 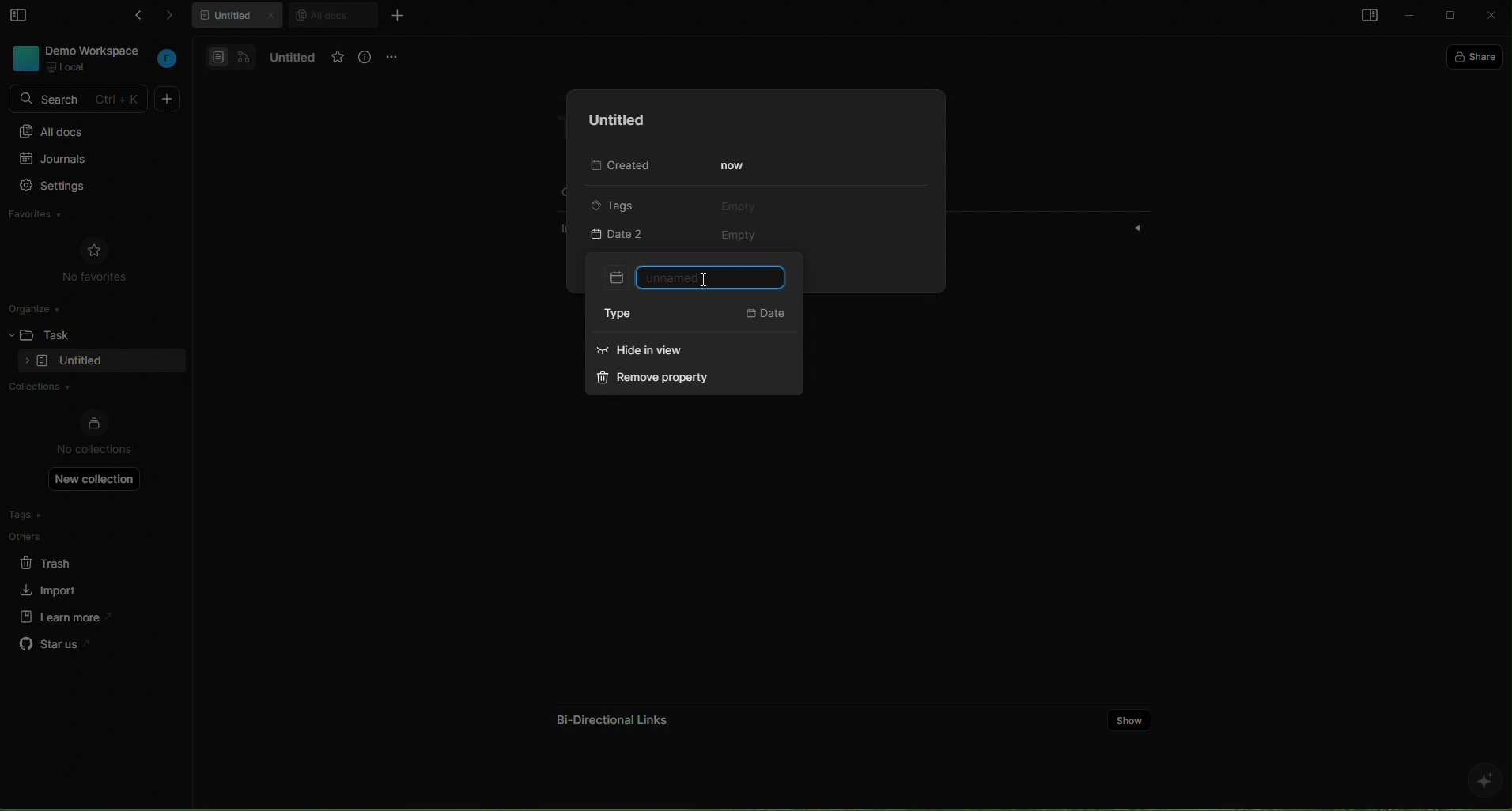 I want to click on empty, so click(x=738, y=206).